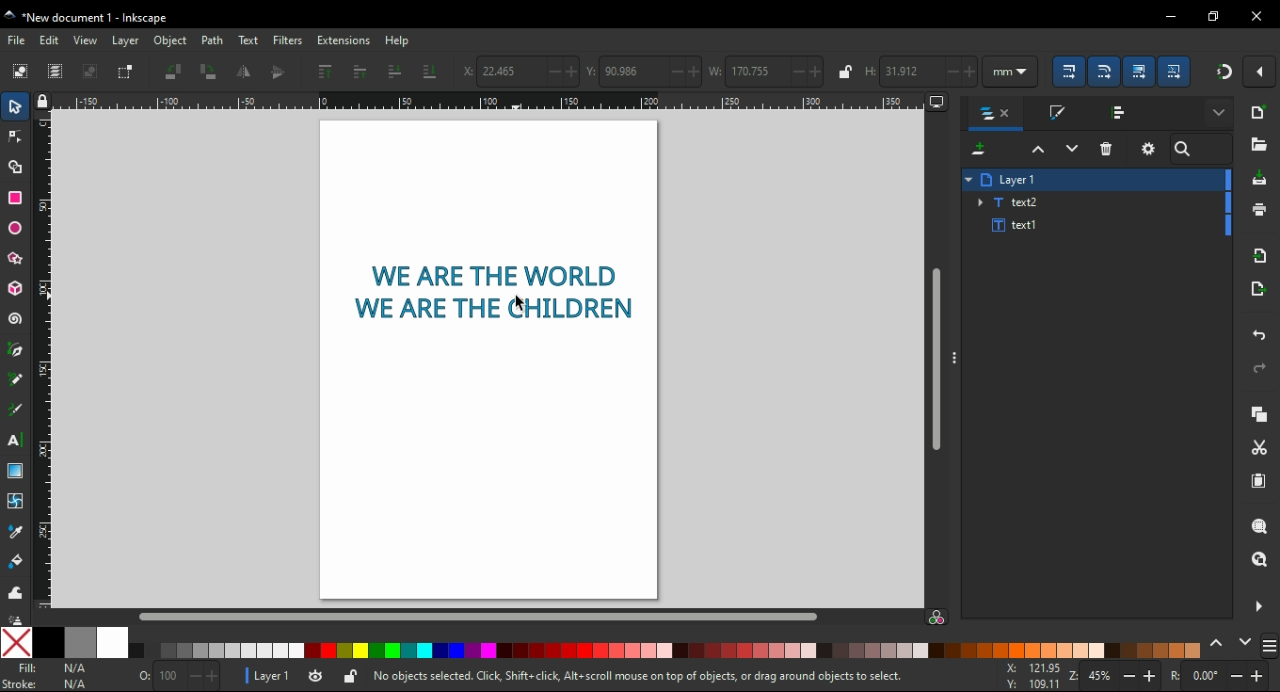 This screenshot has width=1280, height=692. I want to click on 3D block tool, so click(14, 287).